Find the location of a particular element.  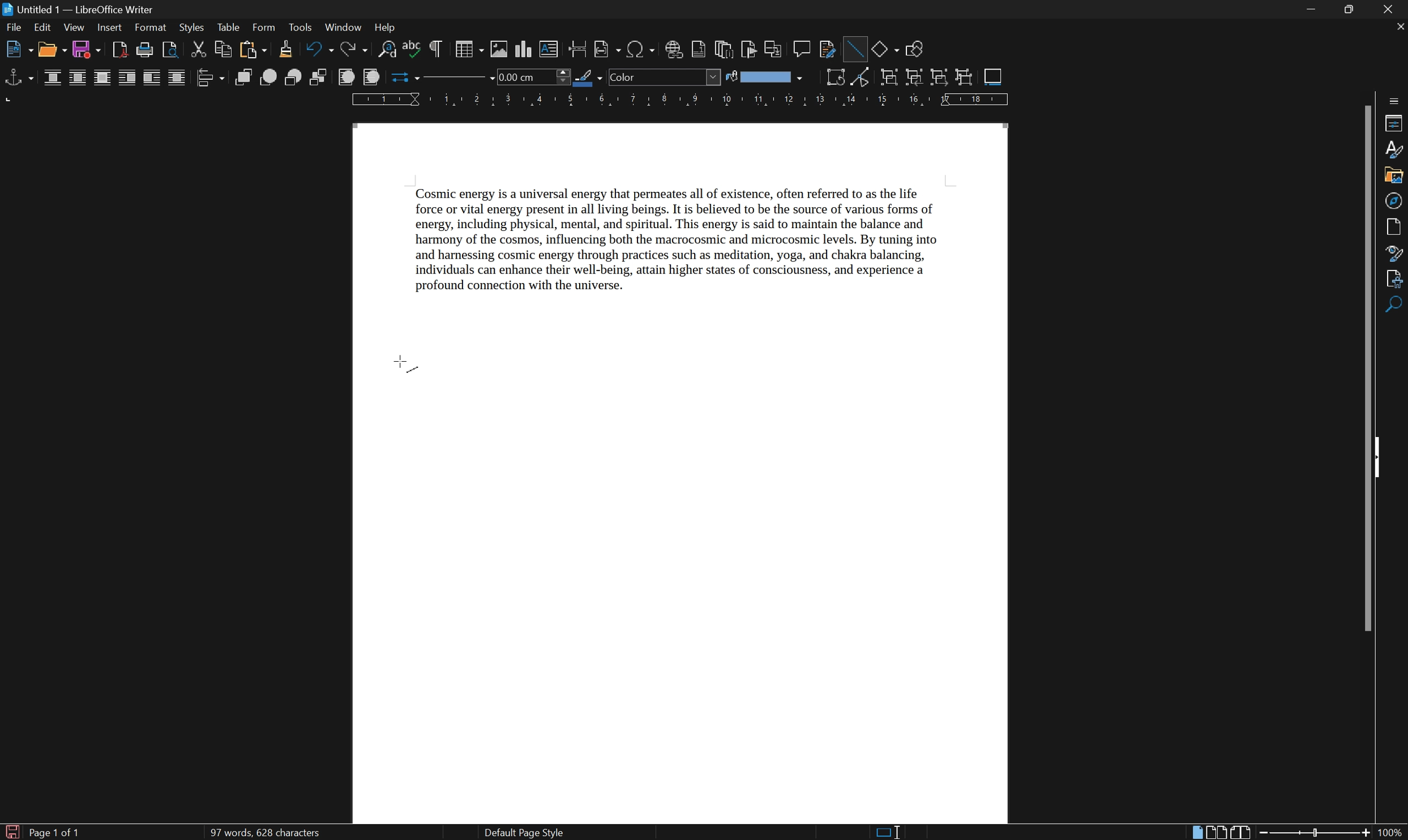

open is located at coordinates (53, 50).